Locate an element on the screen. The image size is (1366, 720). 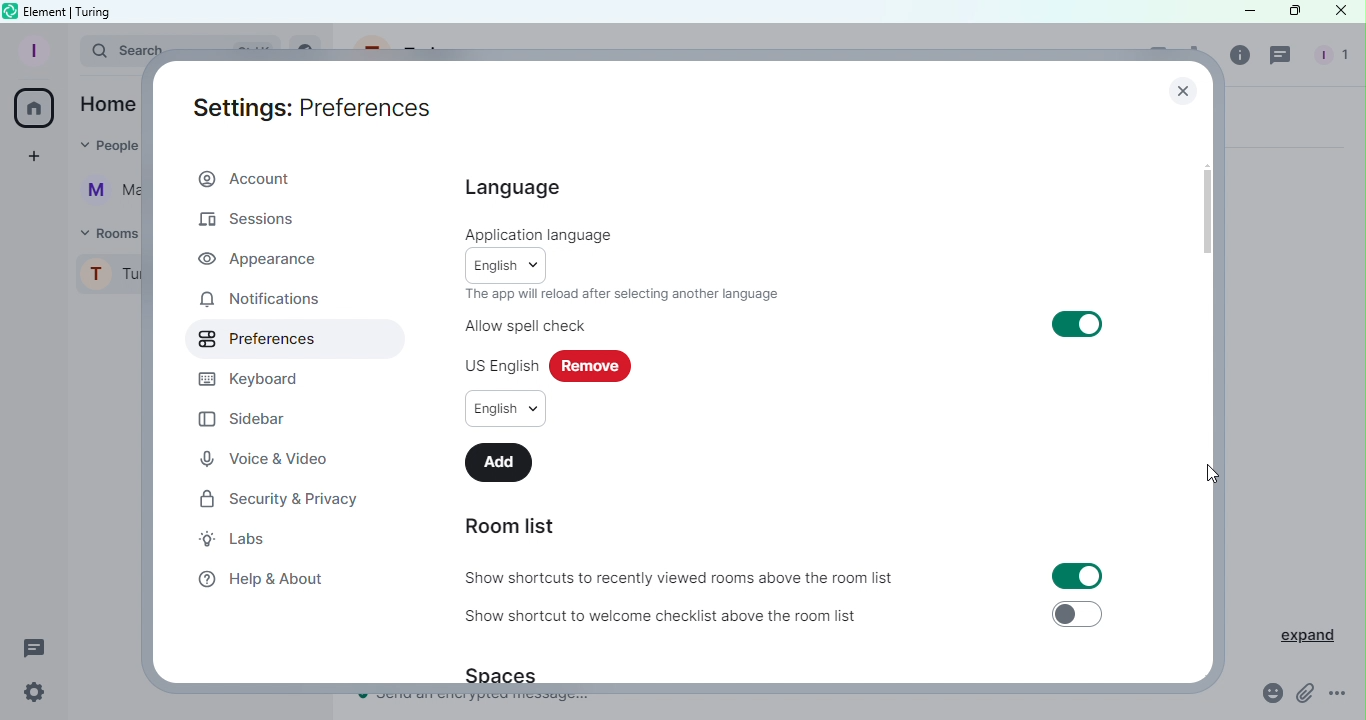
Language is located at coordinates (513, 188).